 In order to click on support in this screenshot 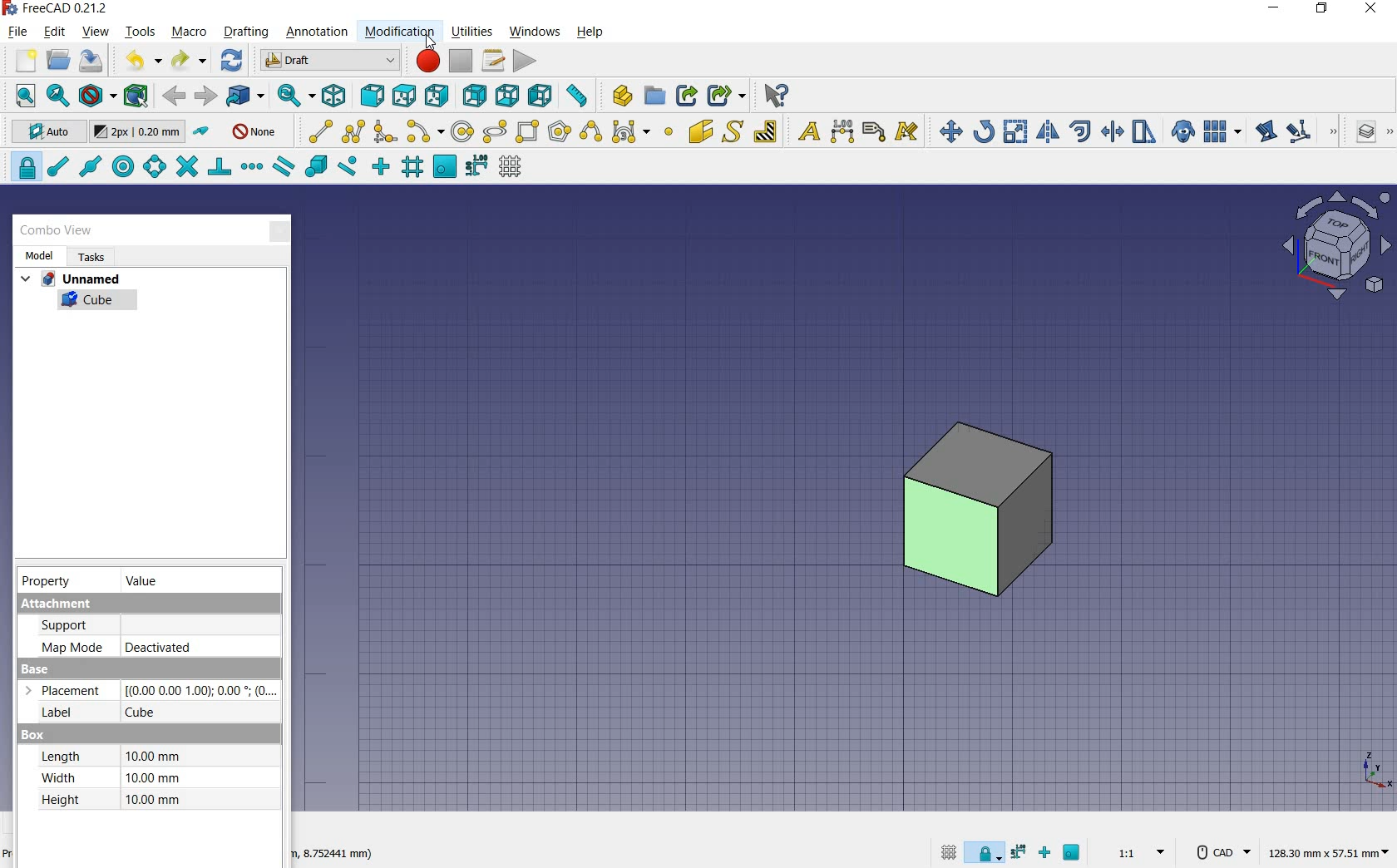, I will do `click(74, 625)`.